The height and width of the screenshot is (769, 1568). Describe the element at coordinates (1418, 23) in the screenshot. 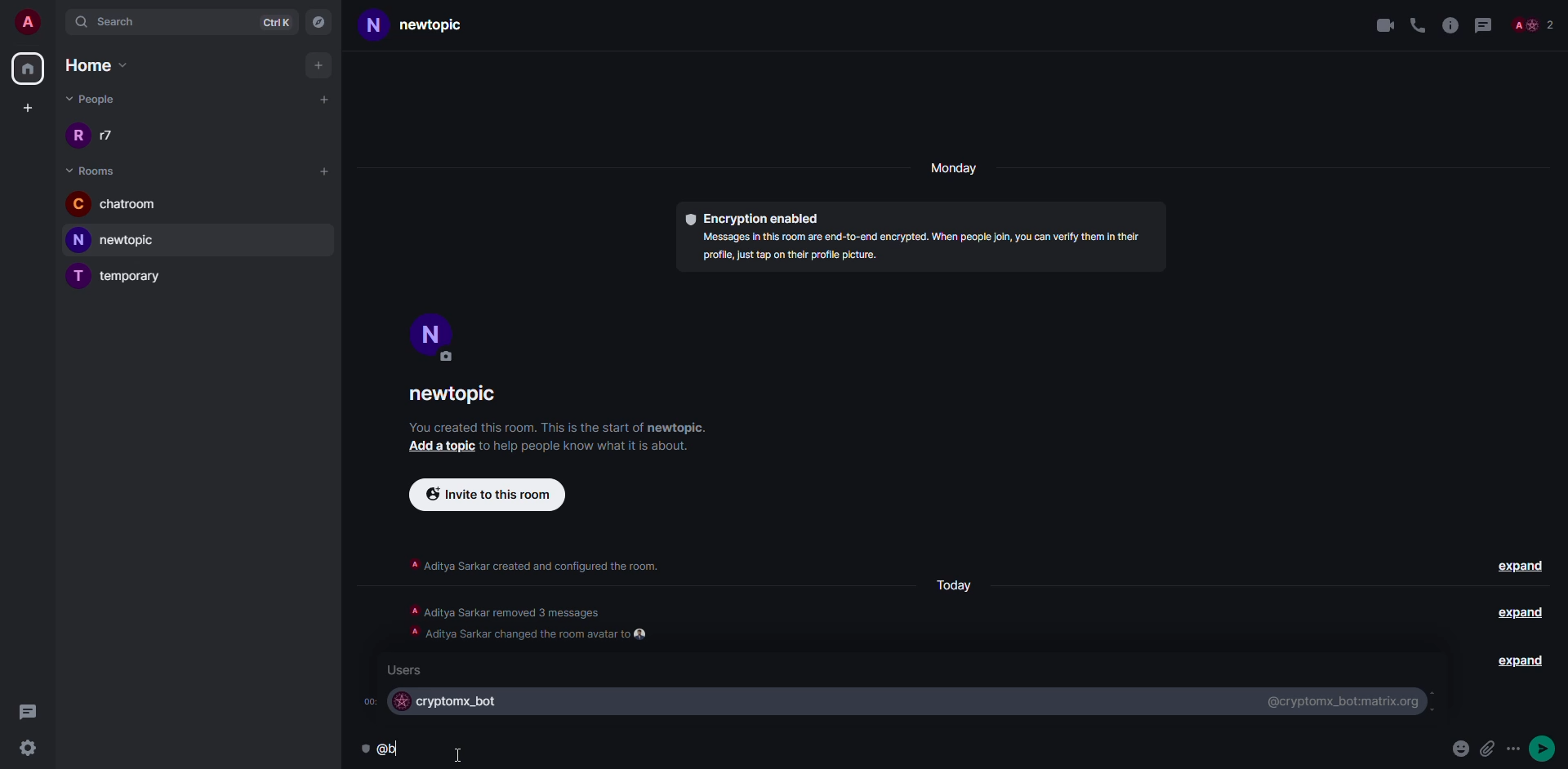

I see `voice call` at that location.